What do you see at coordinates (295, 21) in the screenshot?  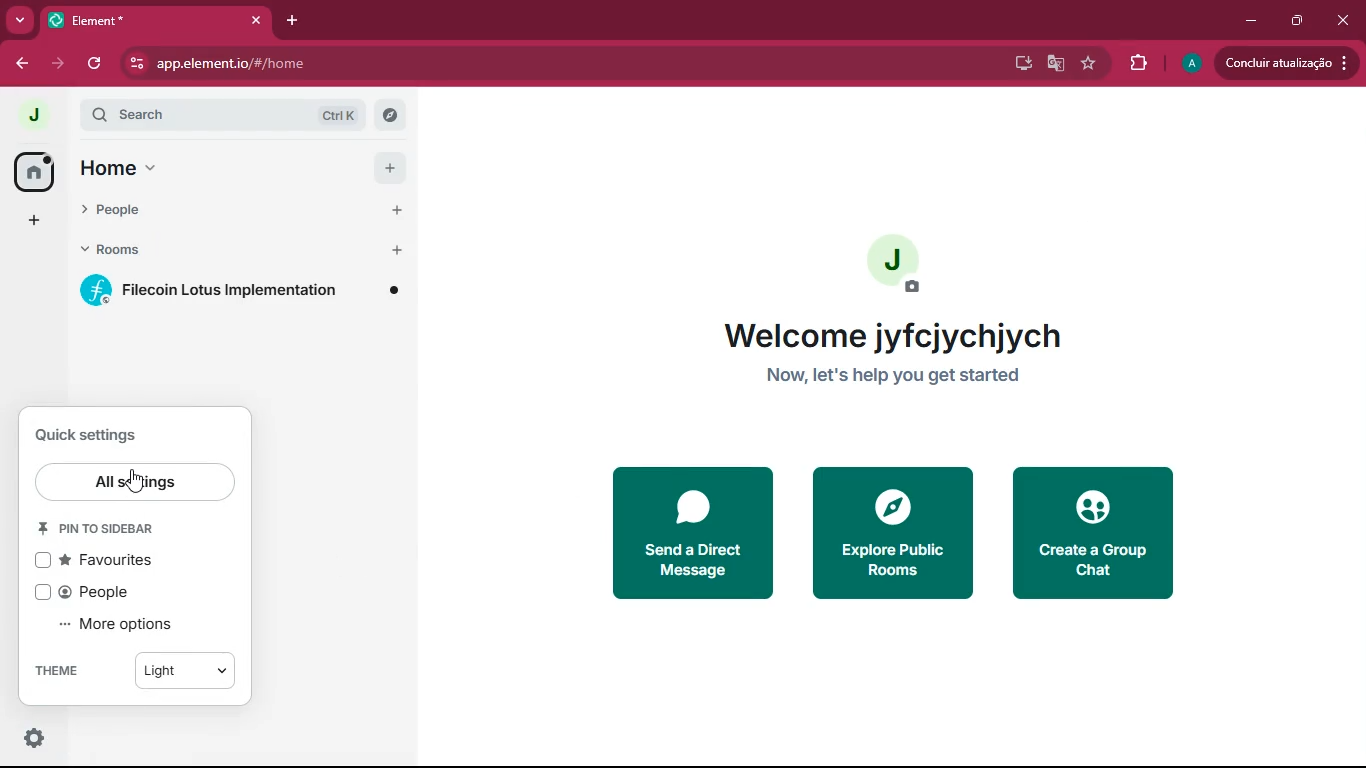 I see `add tab` at bounding box center [295, 21].